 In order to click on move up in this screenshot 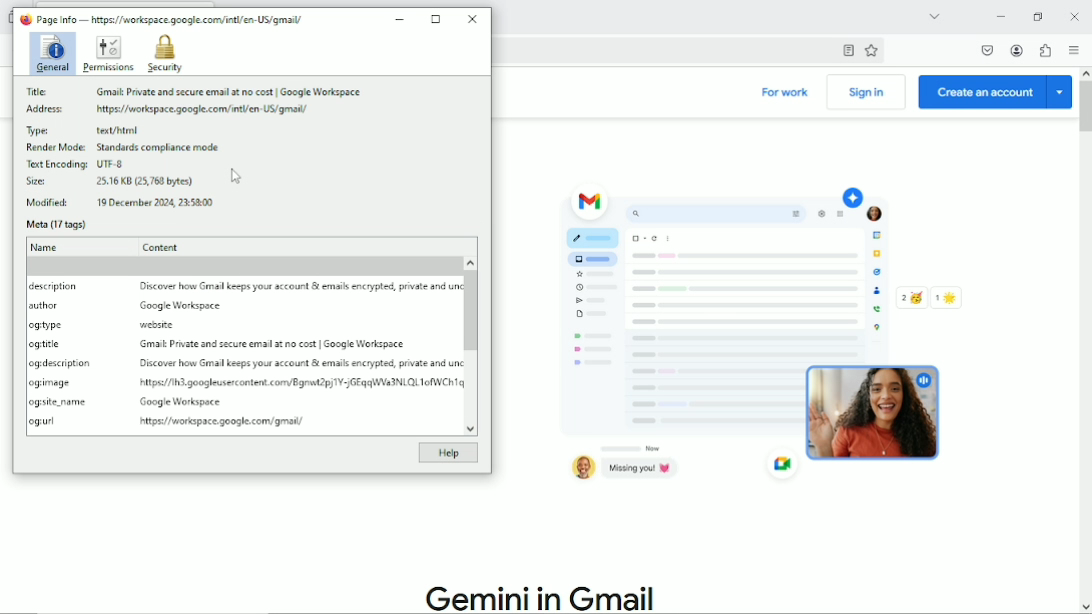, I will do `click(1085, 73)`.